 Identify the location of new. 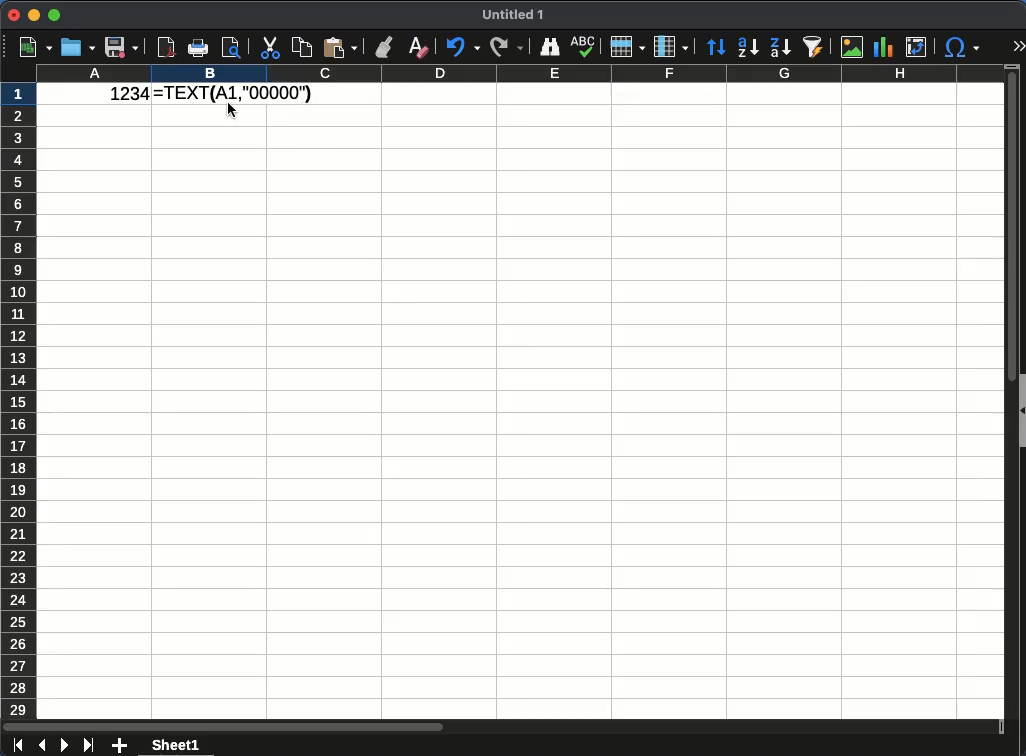
(34, 48).